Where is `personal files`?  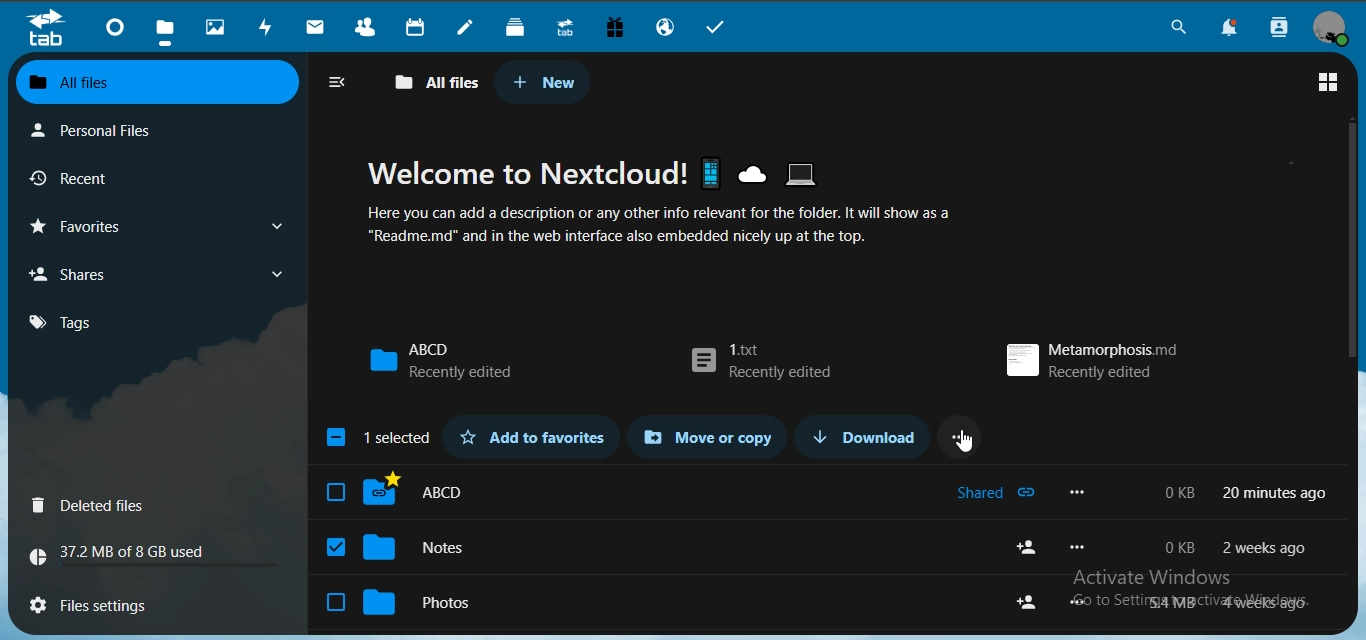 personal files is located at coordinates (130, 128).